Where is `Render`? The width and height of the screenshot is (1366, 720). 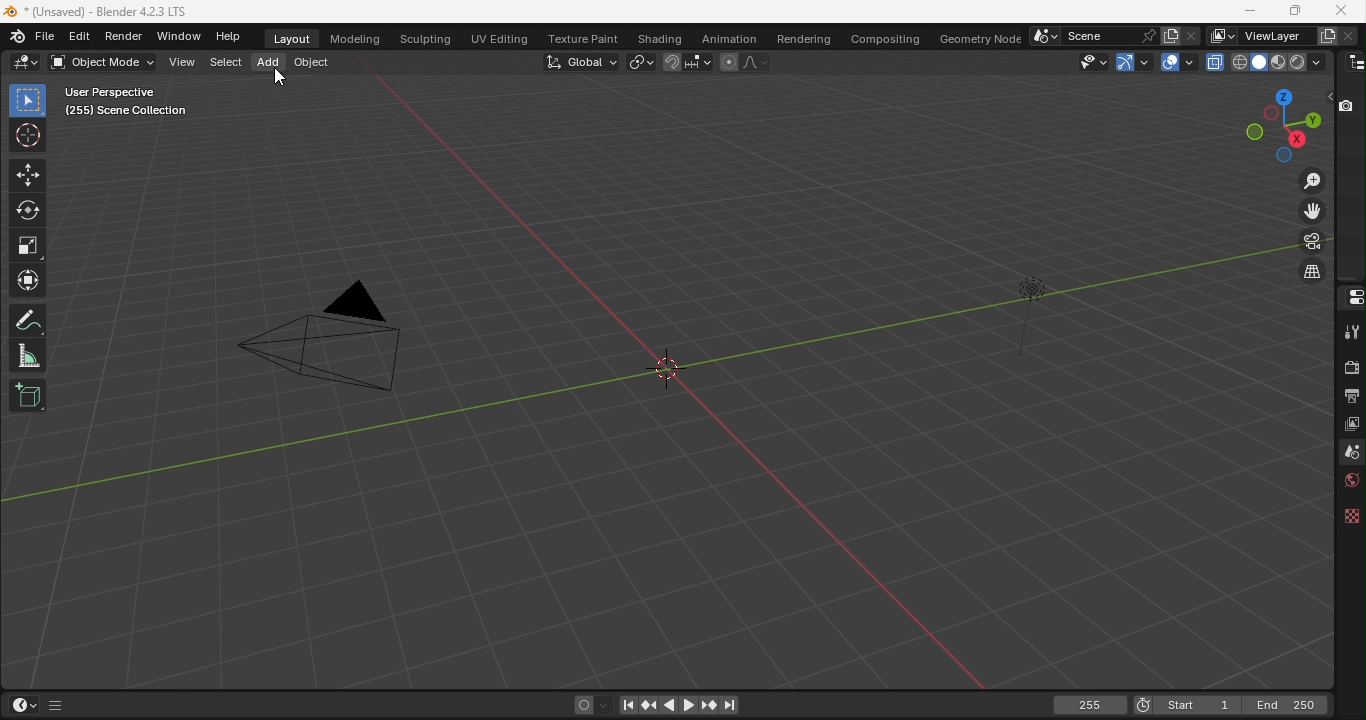 Render is located at coordinates (126, 36).